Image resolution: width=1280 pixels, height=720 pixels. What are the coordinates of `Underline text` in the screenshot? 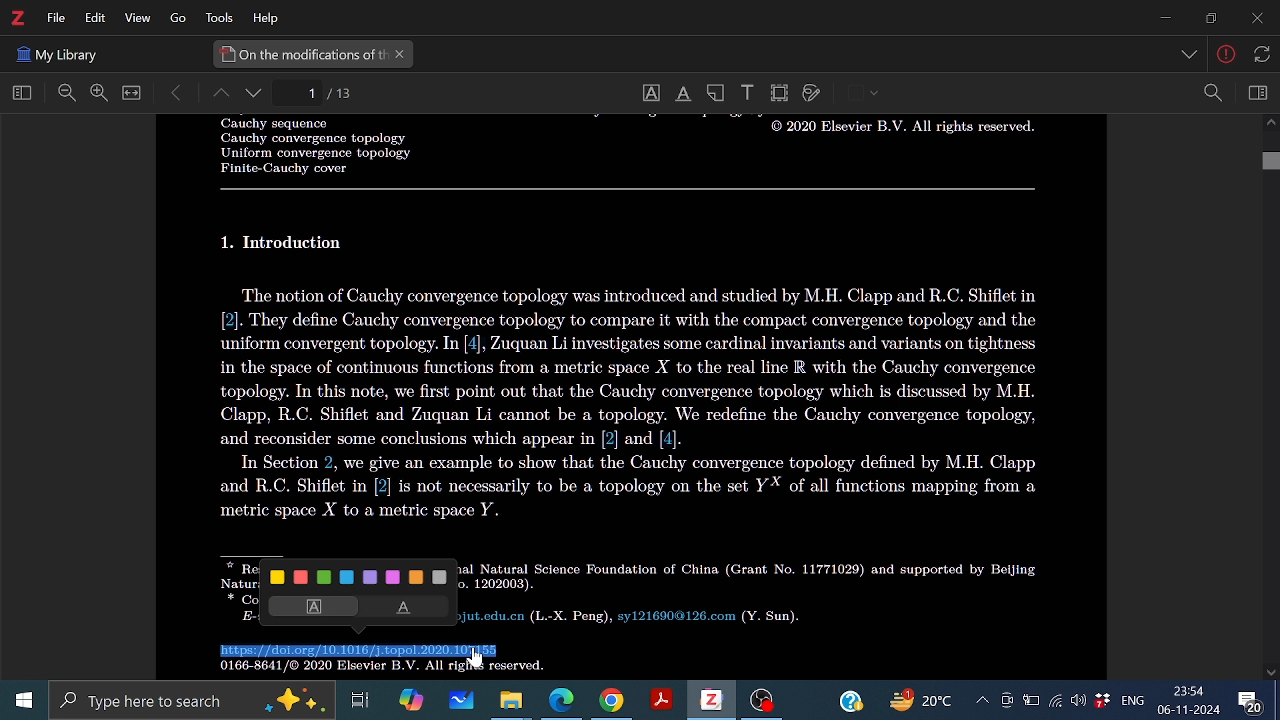 It's located at (682, 94).